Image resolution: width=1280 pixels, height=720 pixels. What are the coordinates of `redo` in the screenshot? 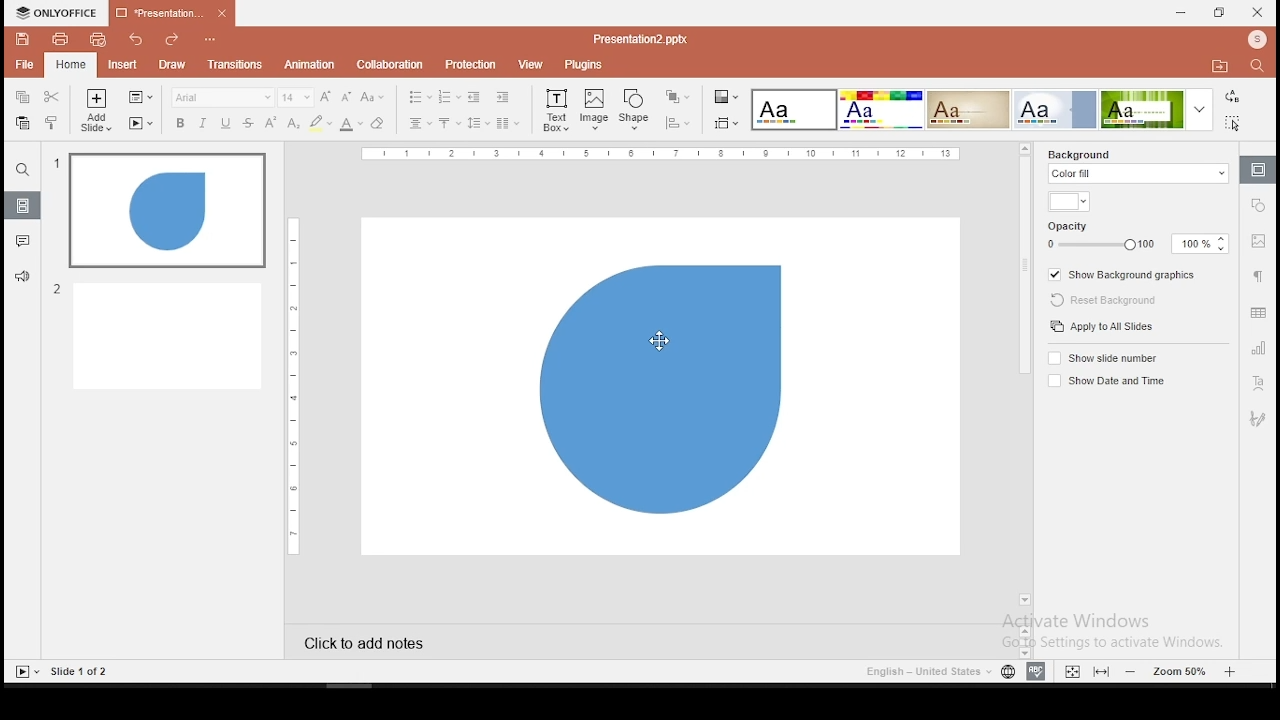 It's located at (167, 40).